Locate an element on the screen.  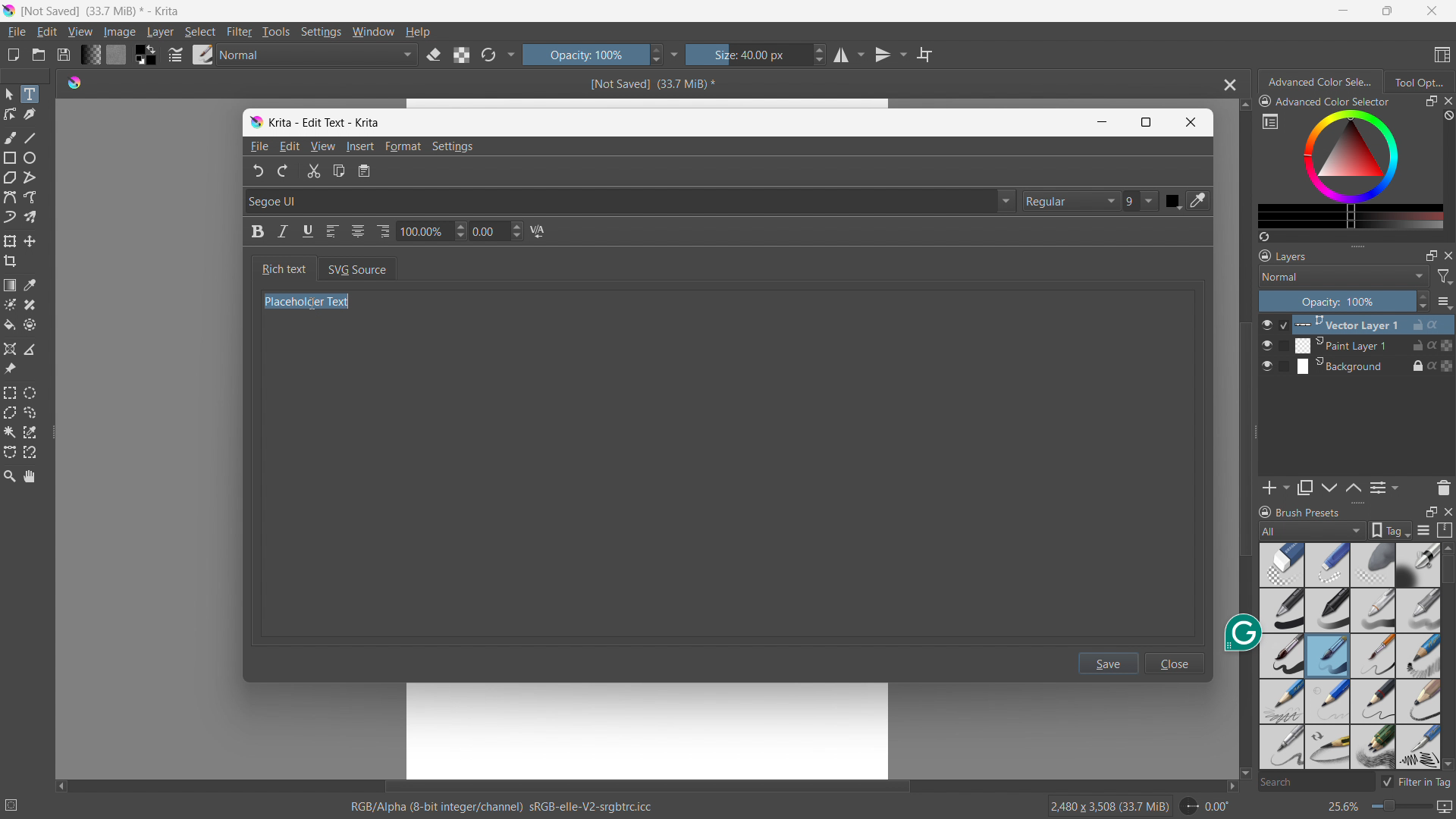
Redo is located at coordinates (284, 170).